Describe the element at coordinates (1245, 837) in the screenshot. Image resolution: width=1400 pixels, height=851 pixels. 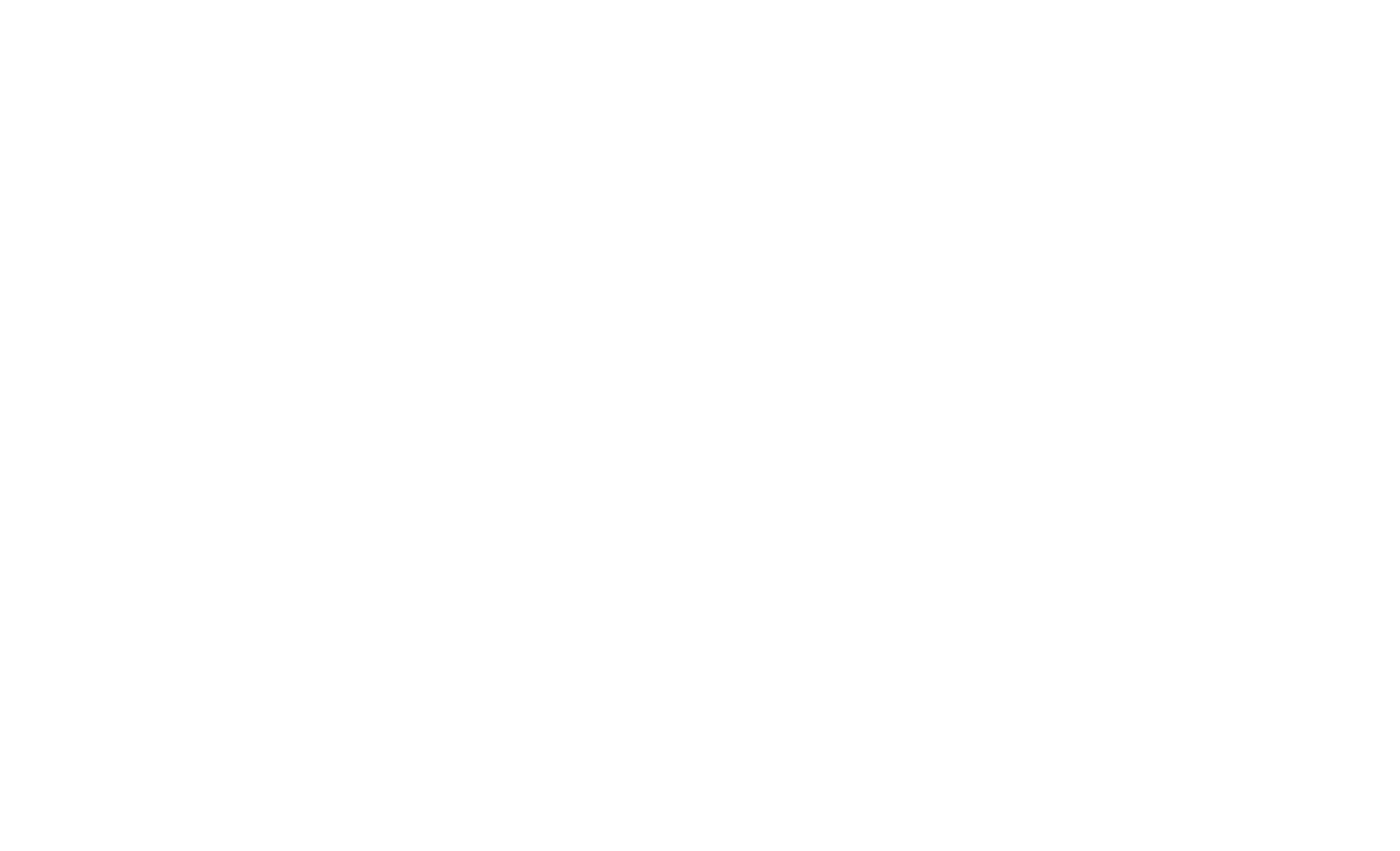
I see `CPU` at that location.